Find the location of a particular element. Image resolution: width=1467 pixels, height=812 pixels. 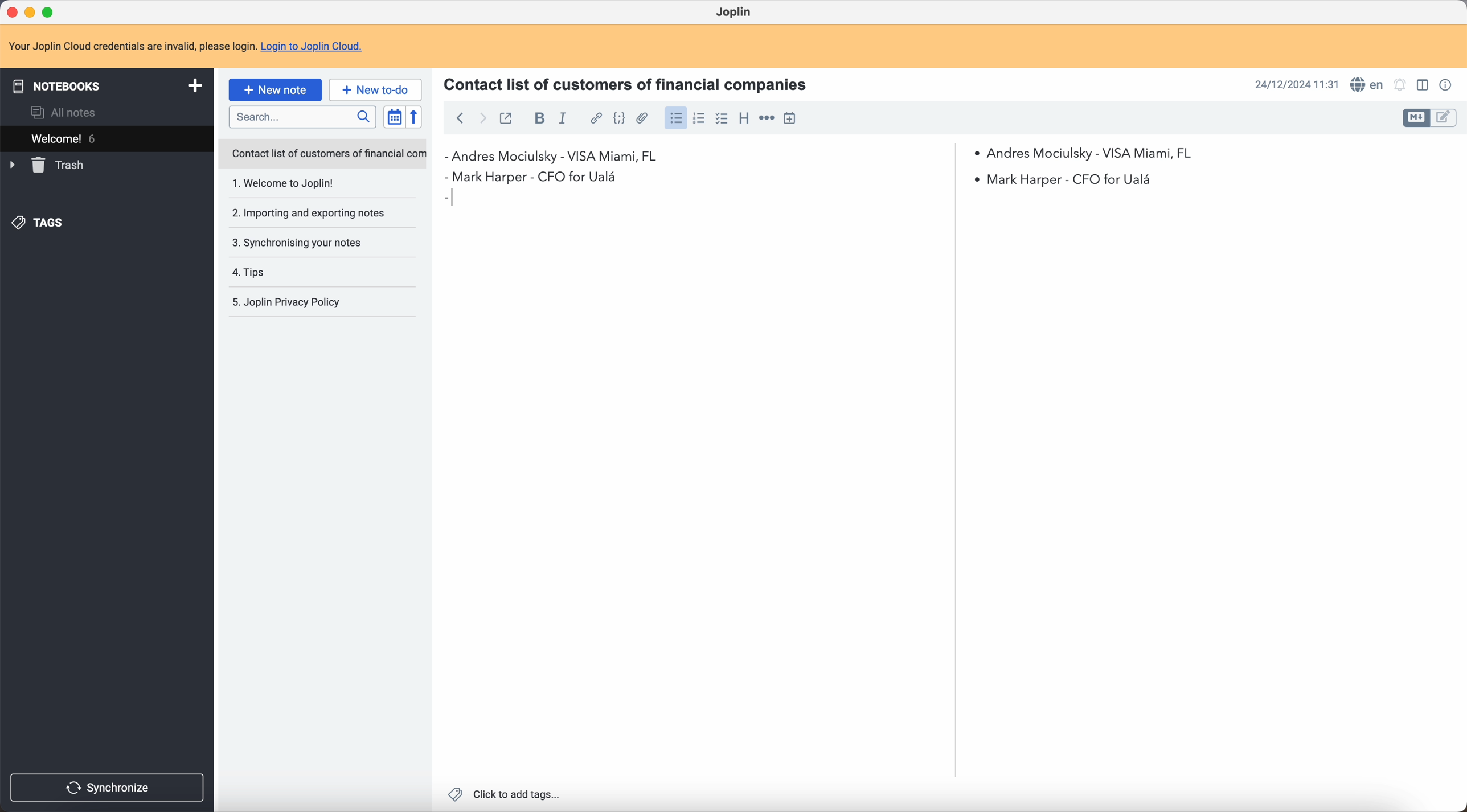

Contact list of customers of financial com is located at coordinates (327, 154).